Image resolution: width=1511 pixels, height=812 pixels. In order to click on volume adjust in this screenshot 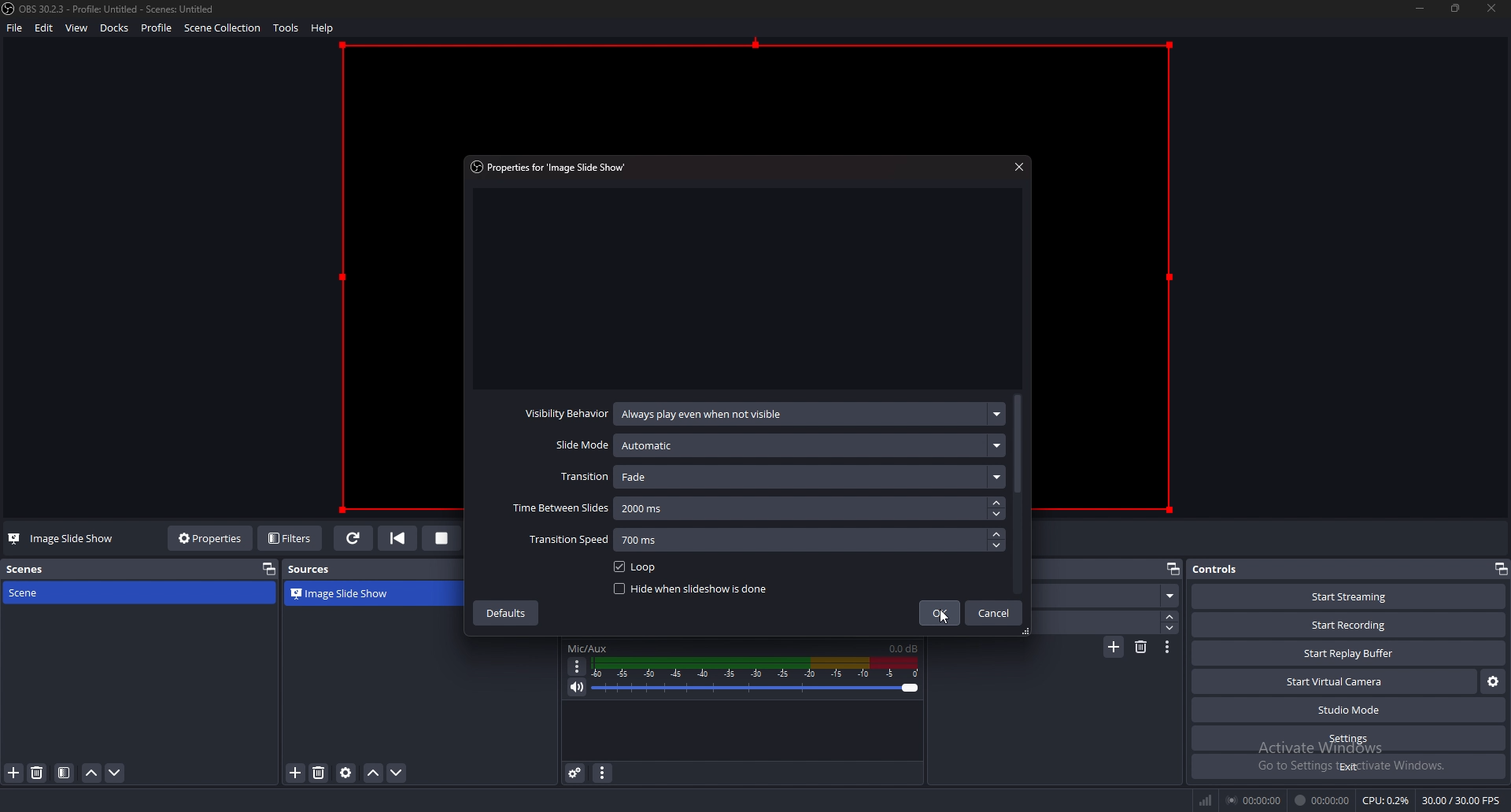, I will do `click(756, 677)`.